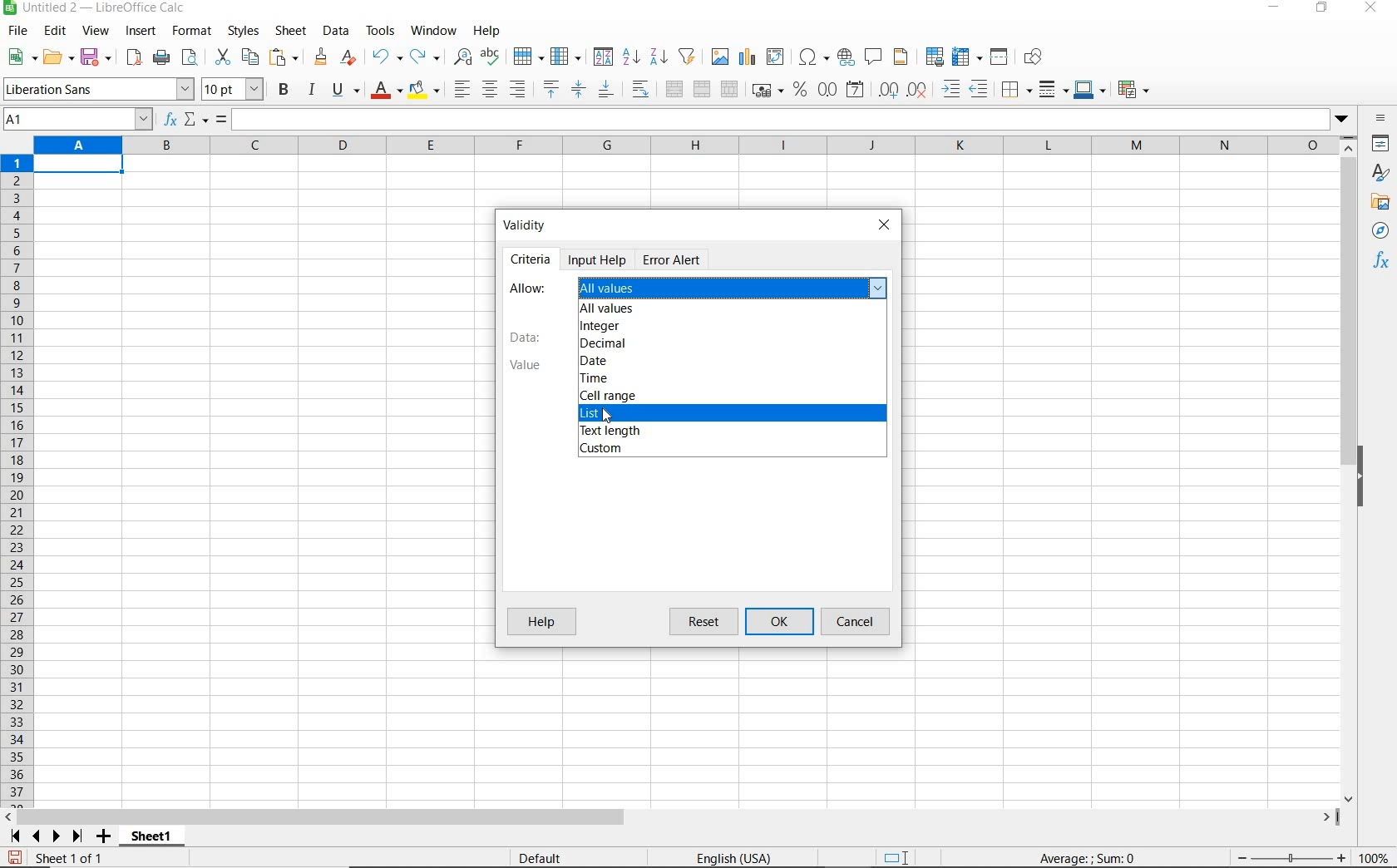 This screenshot has height=868, width=1397. I want to click on function wizard, so click(168, 120).